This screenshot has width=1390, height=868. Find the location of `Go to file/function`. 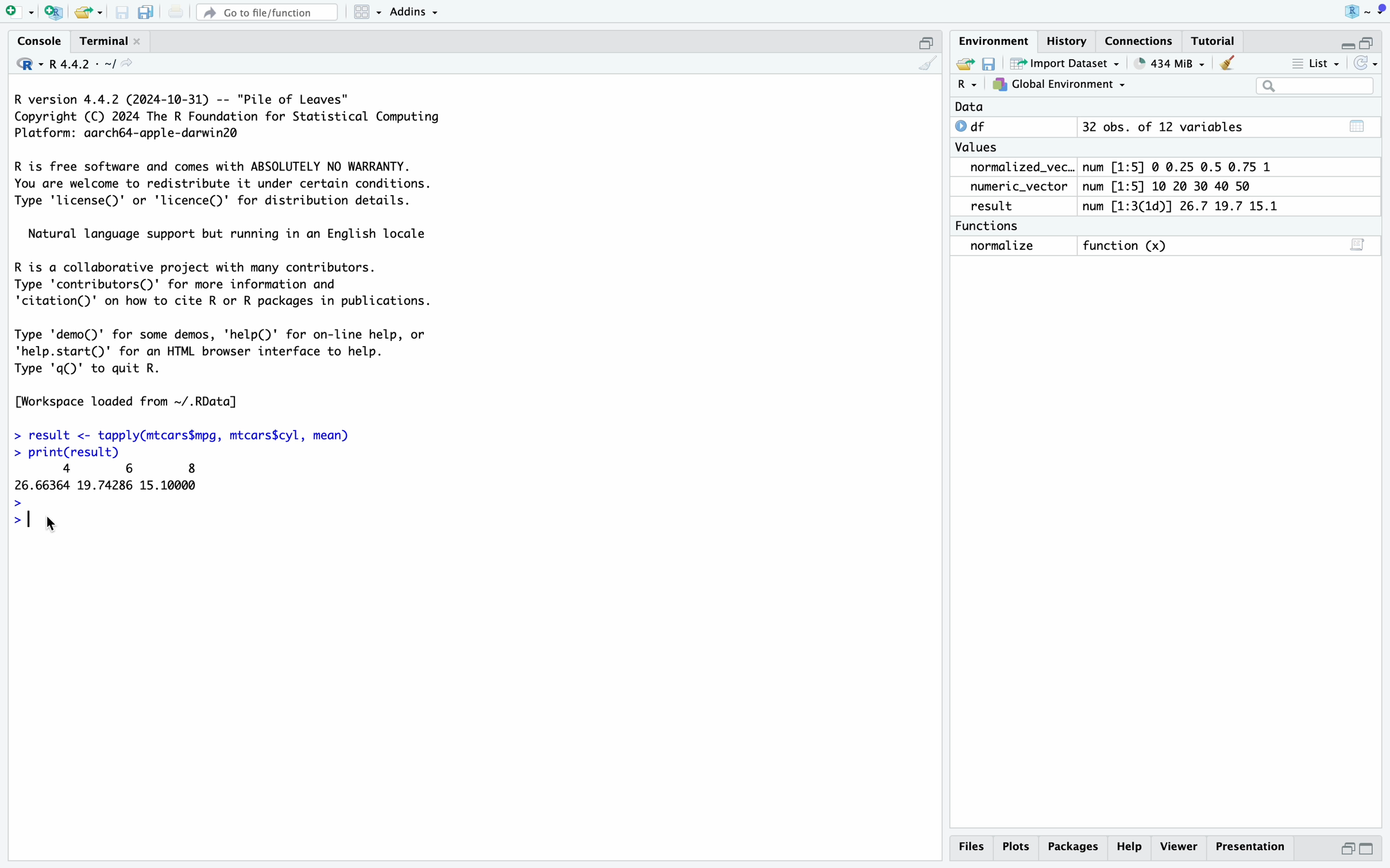

Go to file/function is located at coordinates (268, 12).